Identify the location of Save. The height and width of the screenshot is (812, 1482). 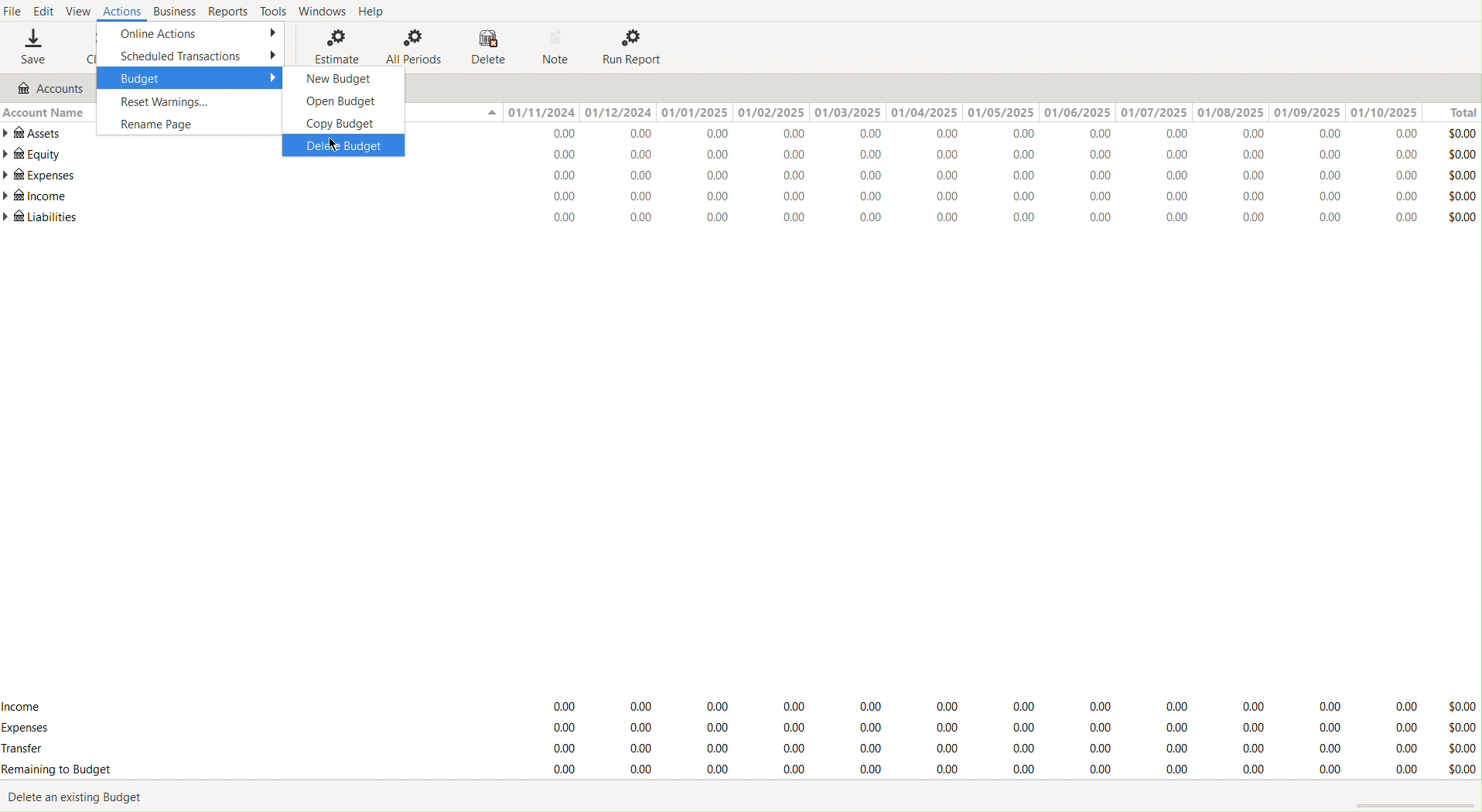
(32, 49).